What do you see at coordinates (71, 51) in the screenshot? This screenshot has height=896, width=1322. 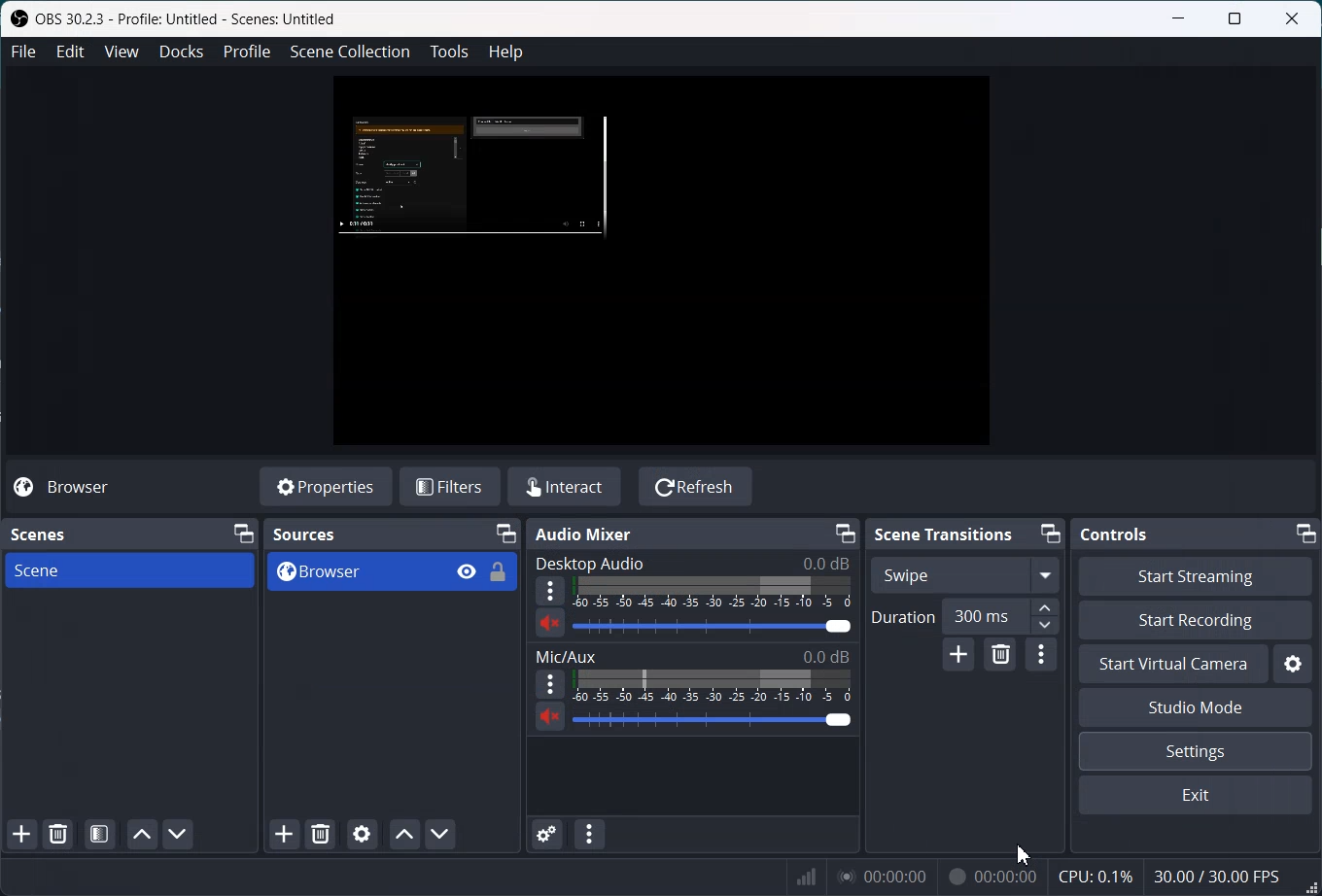 I see `Edit` at bounding box center [71, 51].